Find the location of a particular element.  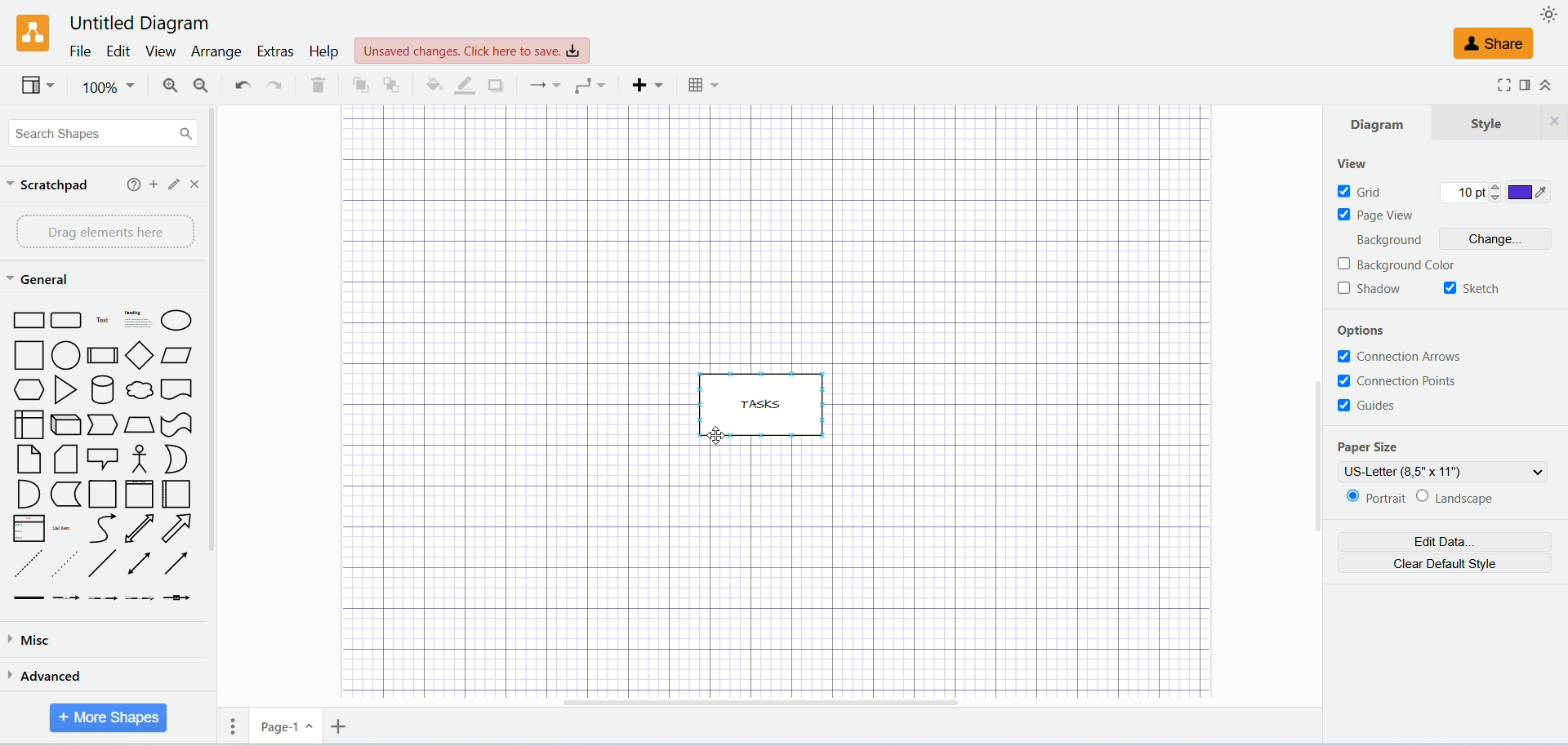

Document is located at coordinates (177, 389).